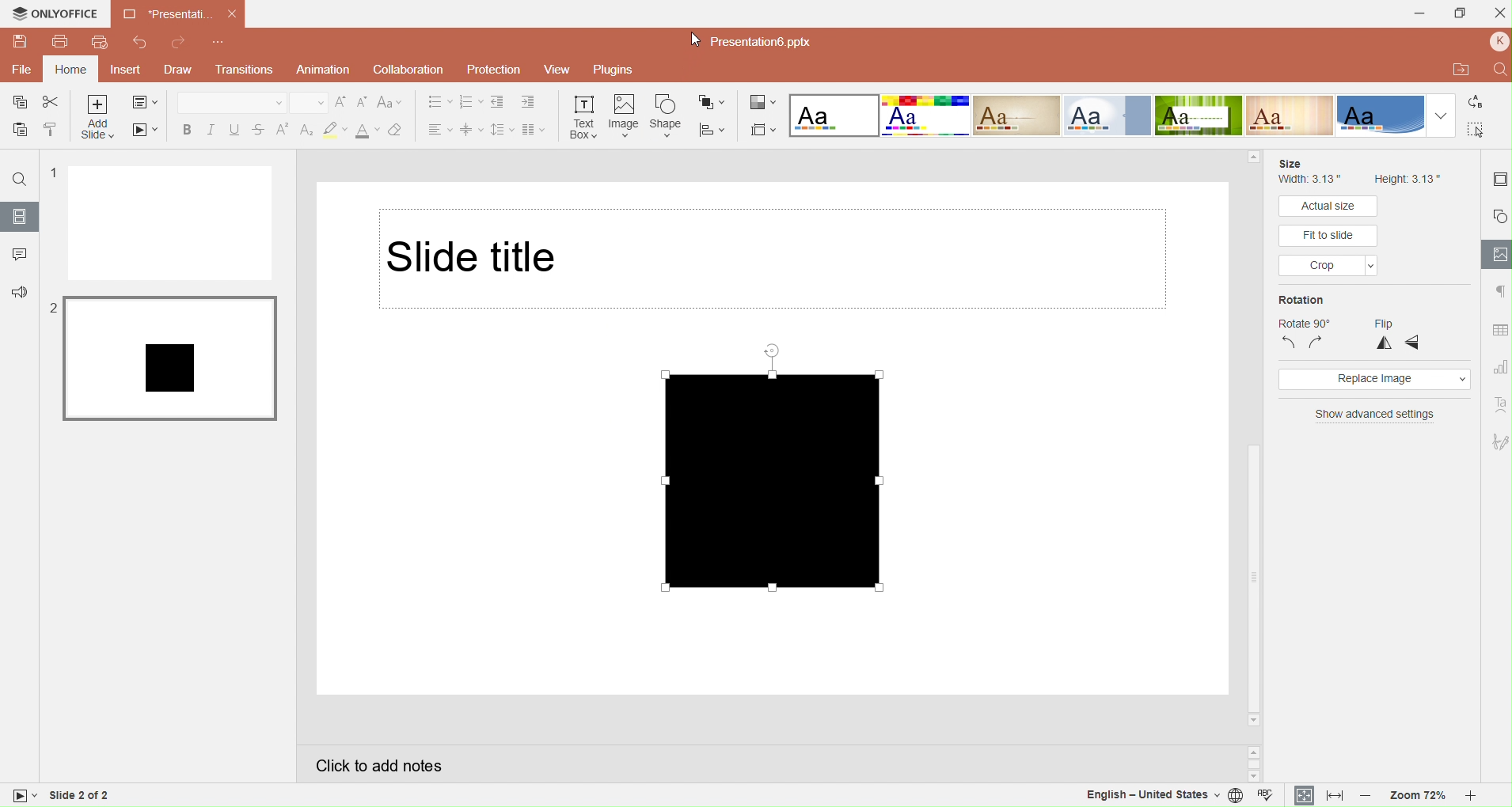 The image size is (1512, 807). Describe the element at coordinates (1236, 796) in the screenshot. I see `Set document language` at that location.